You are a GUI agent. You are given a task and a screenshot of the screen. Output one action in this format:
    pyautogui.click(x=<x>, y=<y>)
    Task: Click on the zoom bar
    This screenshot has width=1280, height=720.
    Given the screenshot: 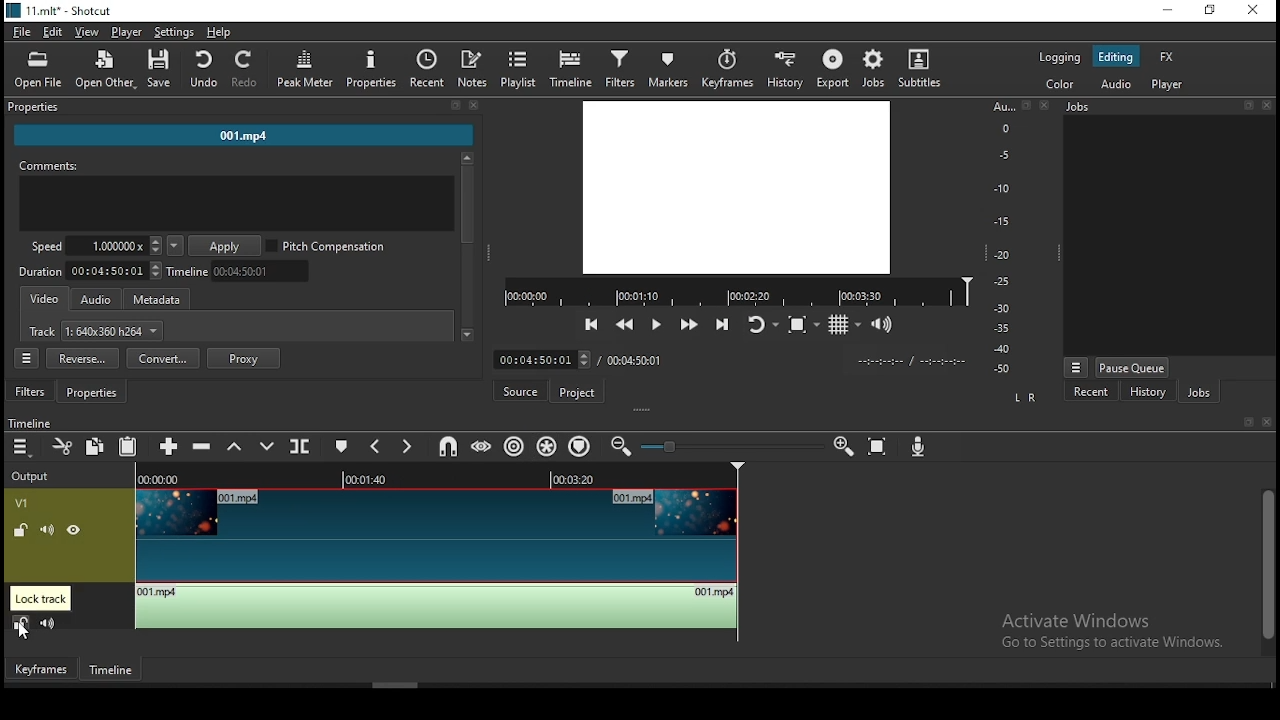 What is the action you would take?
    pyautogui.click(x=729, y=446)
    